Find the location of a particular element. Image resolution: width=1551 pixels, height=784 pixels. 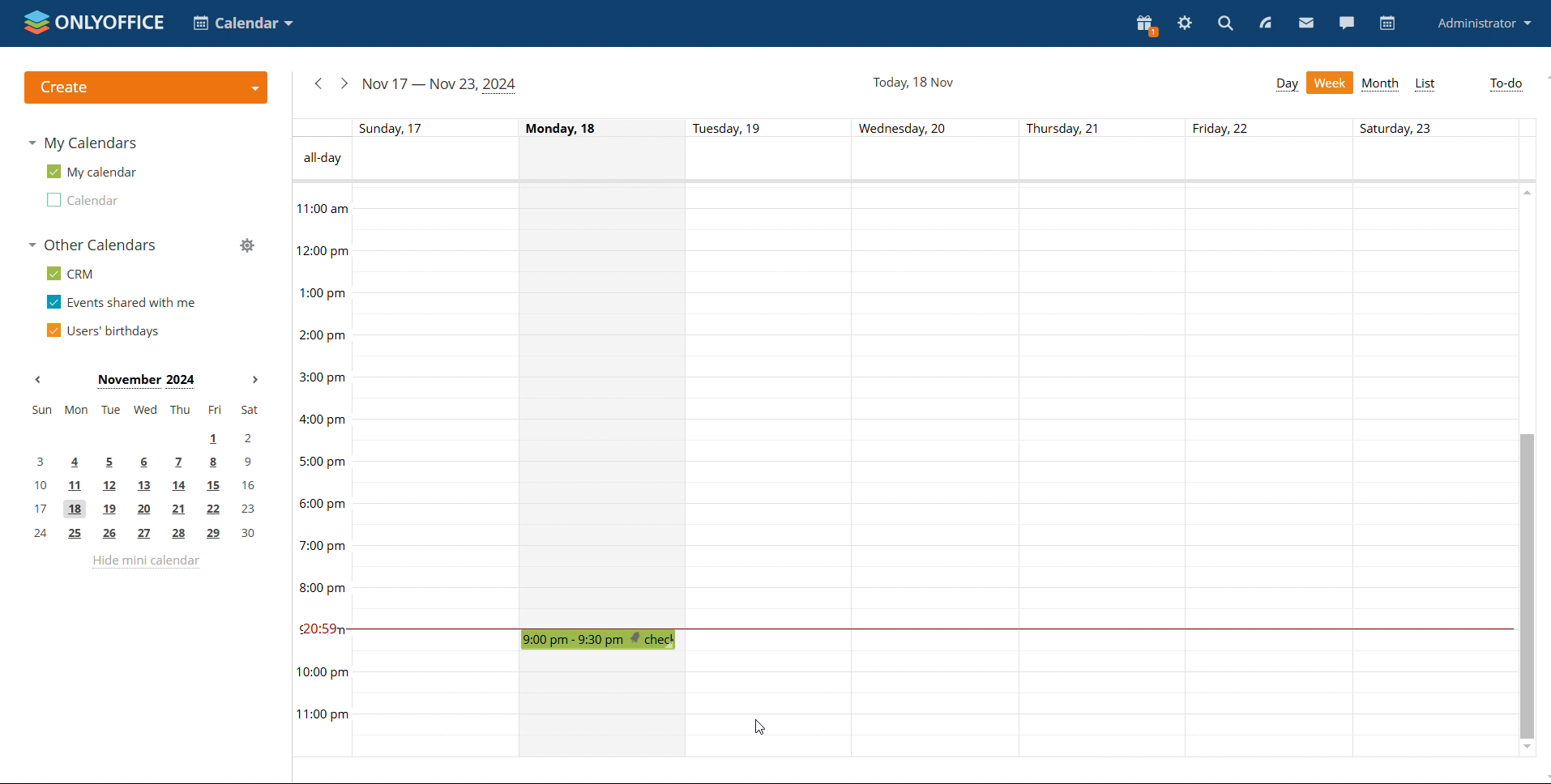

timeline is located at coordinates (321, 470).